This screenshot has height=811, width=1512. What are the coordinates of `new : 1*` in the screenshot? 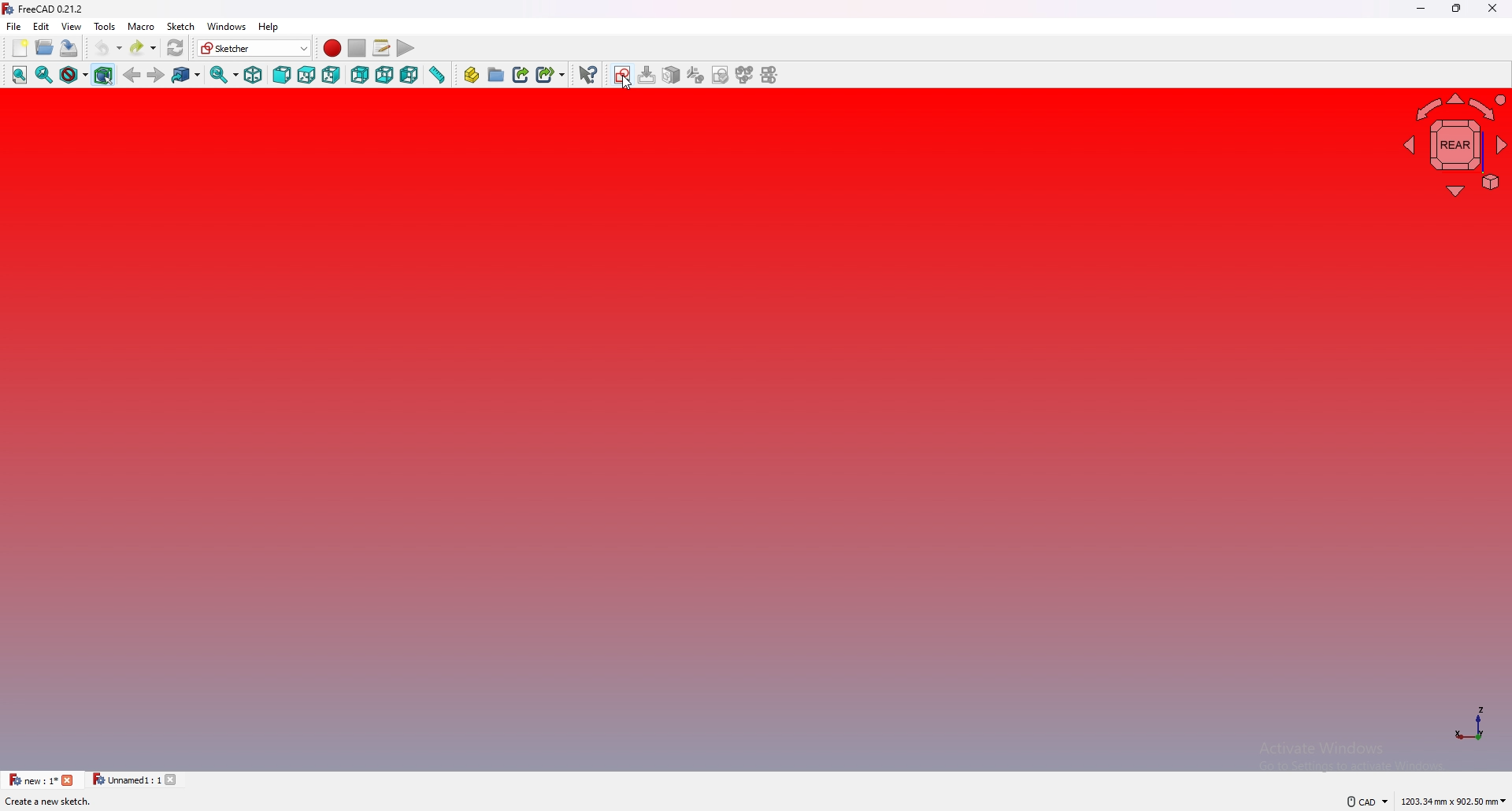 It's located at (32, 780).